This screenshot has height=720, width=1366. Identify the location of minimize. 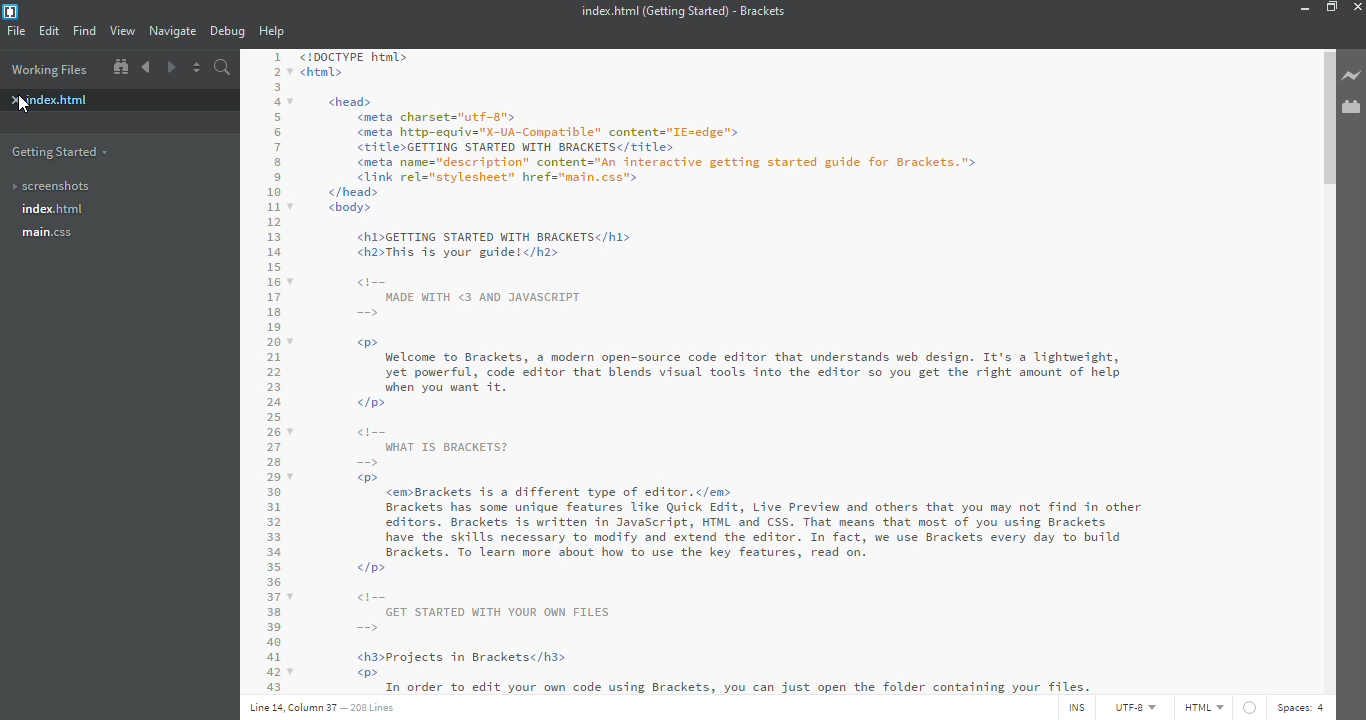
(1302, 9).